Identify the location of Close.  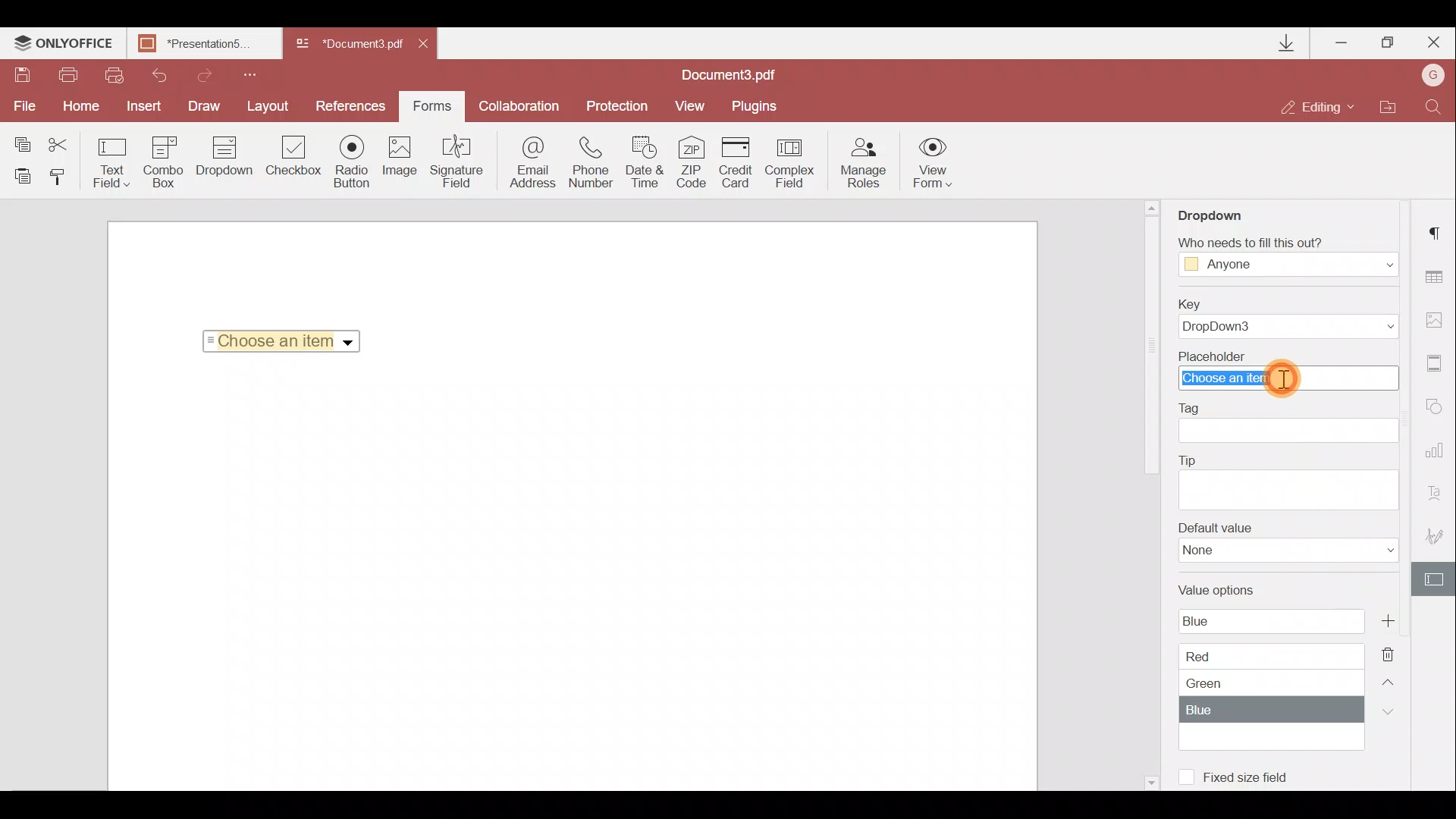
(431, 47).